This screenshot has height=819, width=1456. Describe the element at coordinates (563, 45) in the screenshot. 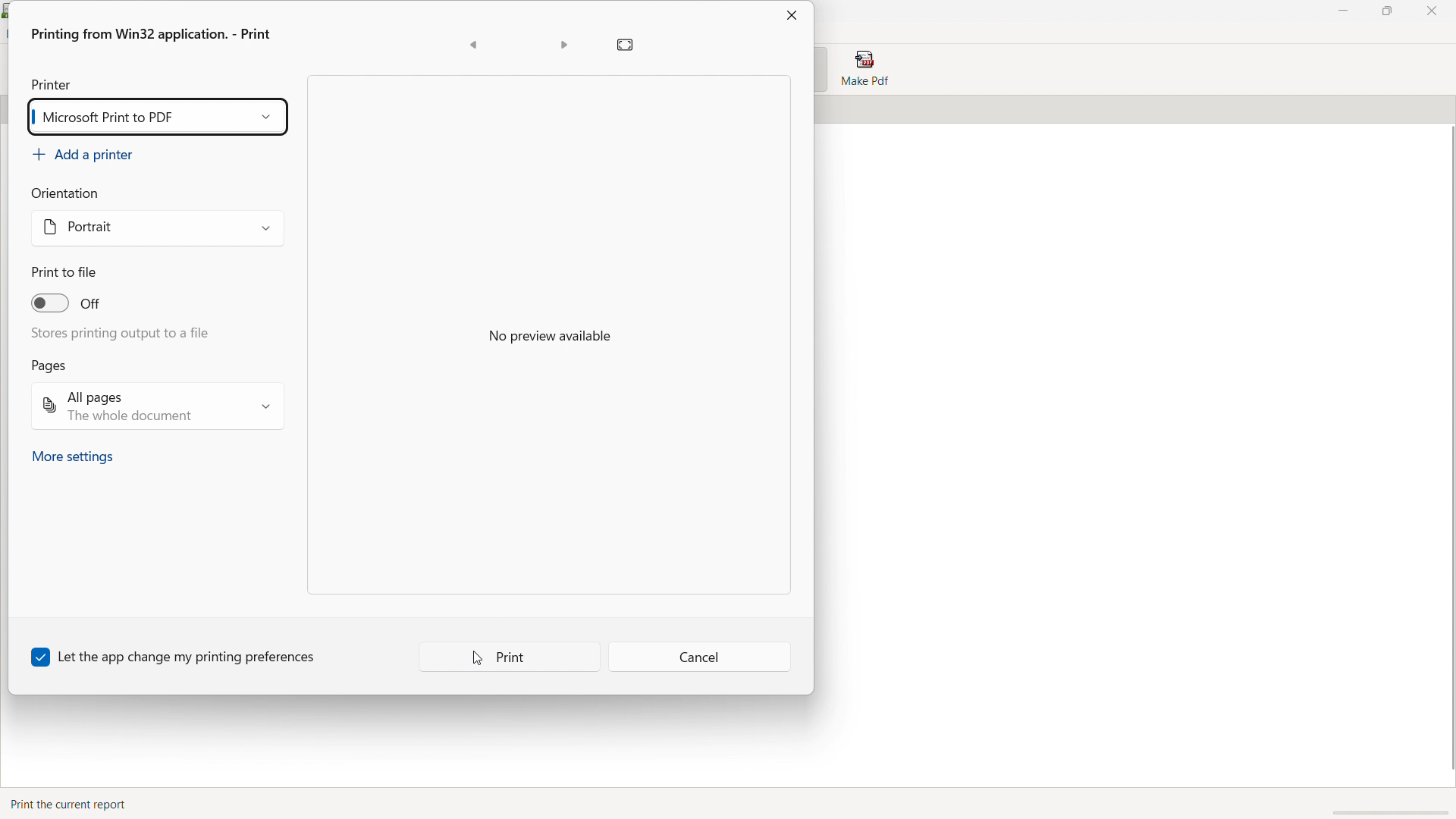

I see `next` at that location.